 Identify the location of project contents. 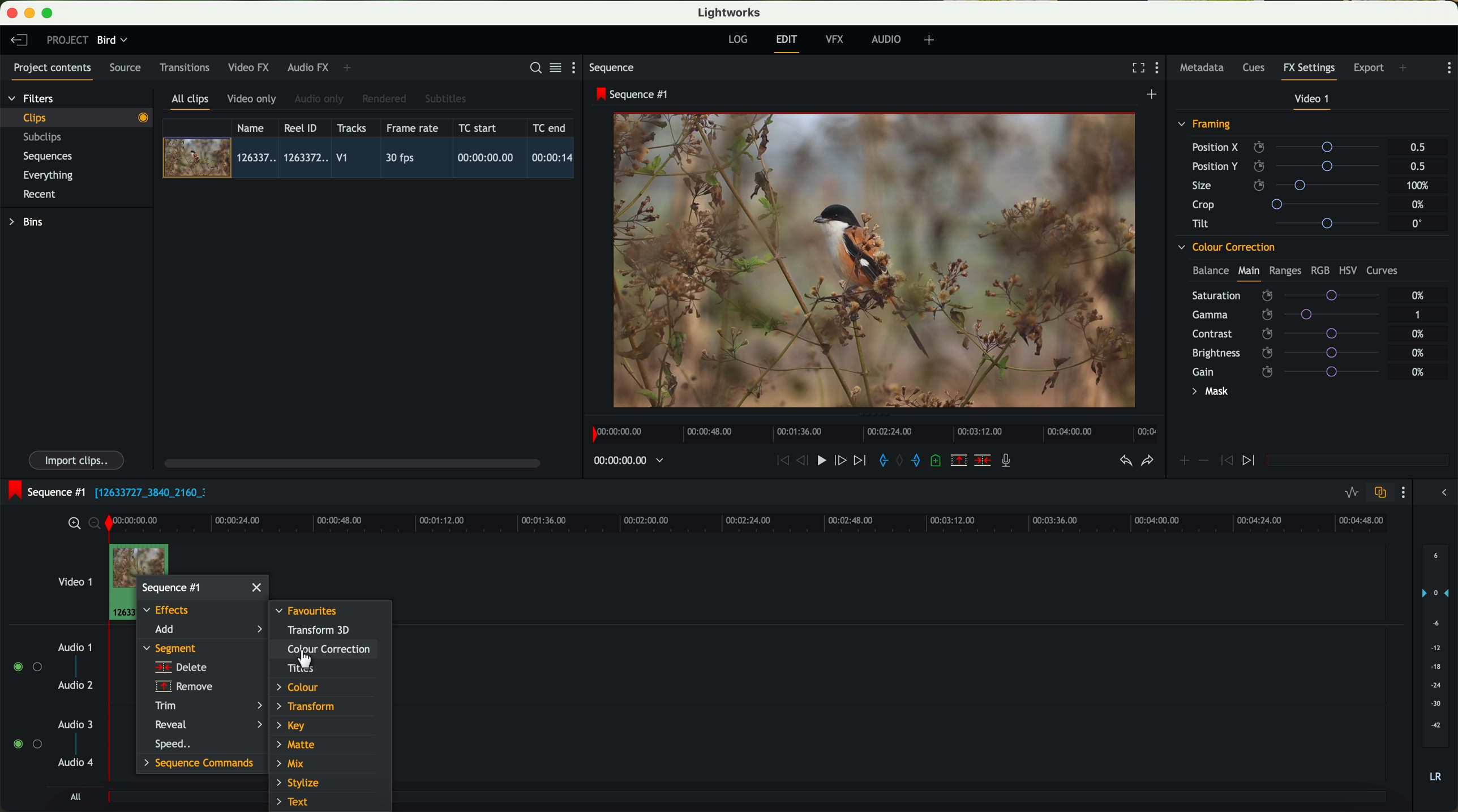
(53, 71).